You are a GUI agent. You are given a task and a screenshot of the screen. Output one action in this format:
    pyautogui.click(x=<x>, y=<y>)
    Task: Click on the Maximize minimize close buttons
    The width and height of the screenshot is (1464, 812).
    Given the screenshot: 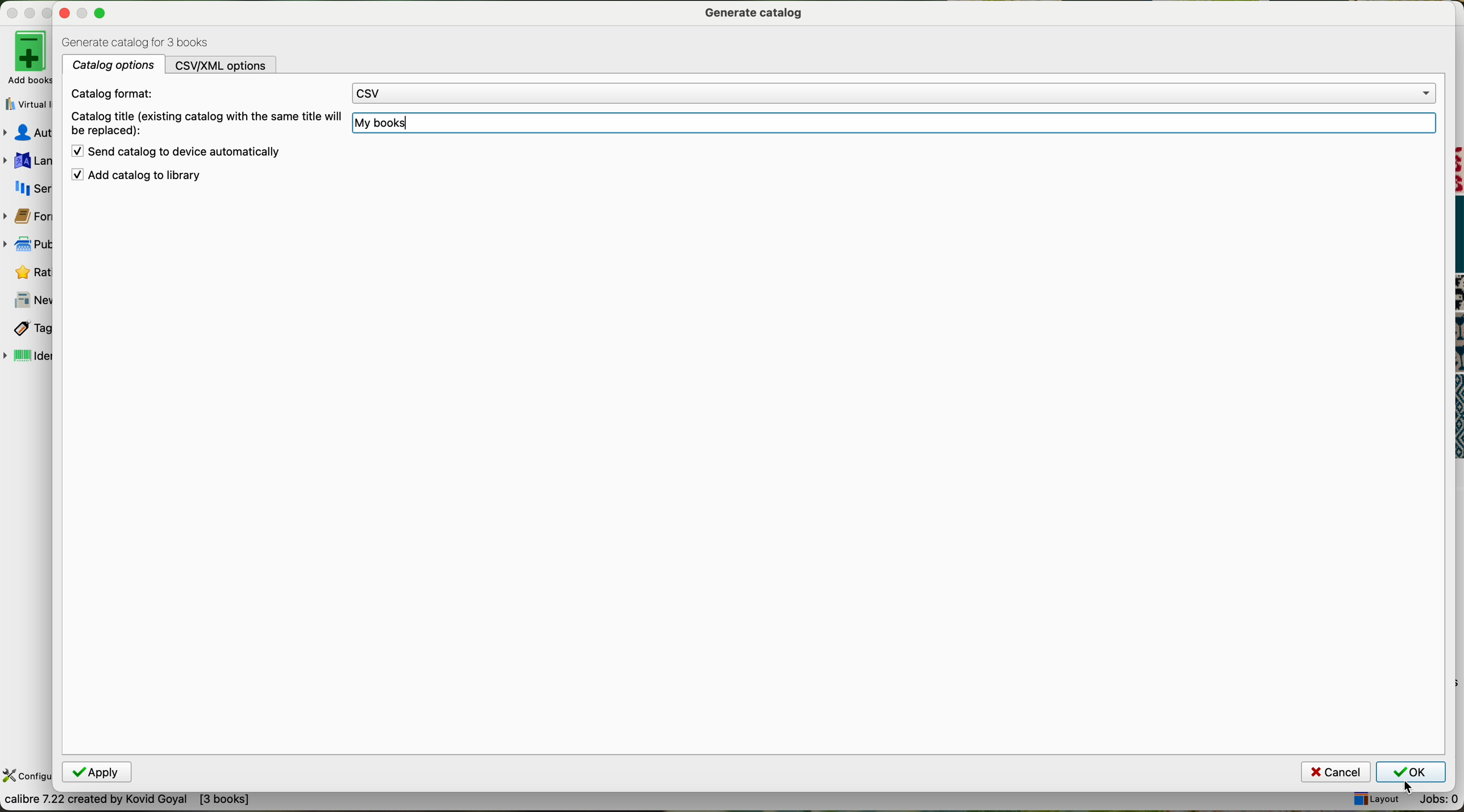 What is the action you would take?
    pyautogui.click(x=100, y=13)
    